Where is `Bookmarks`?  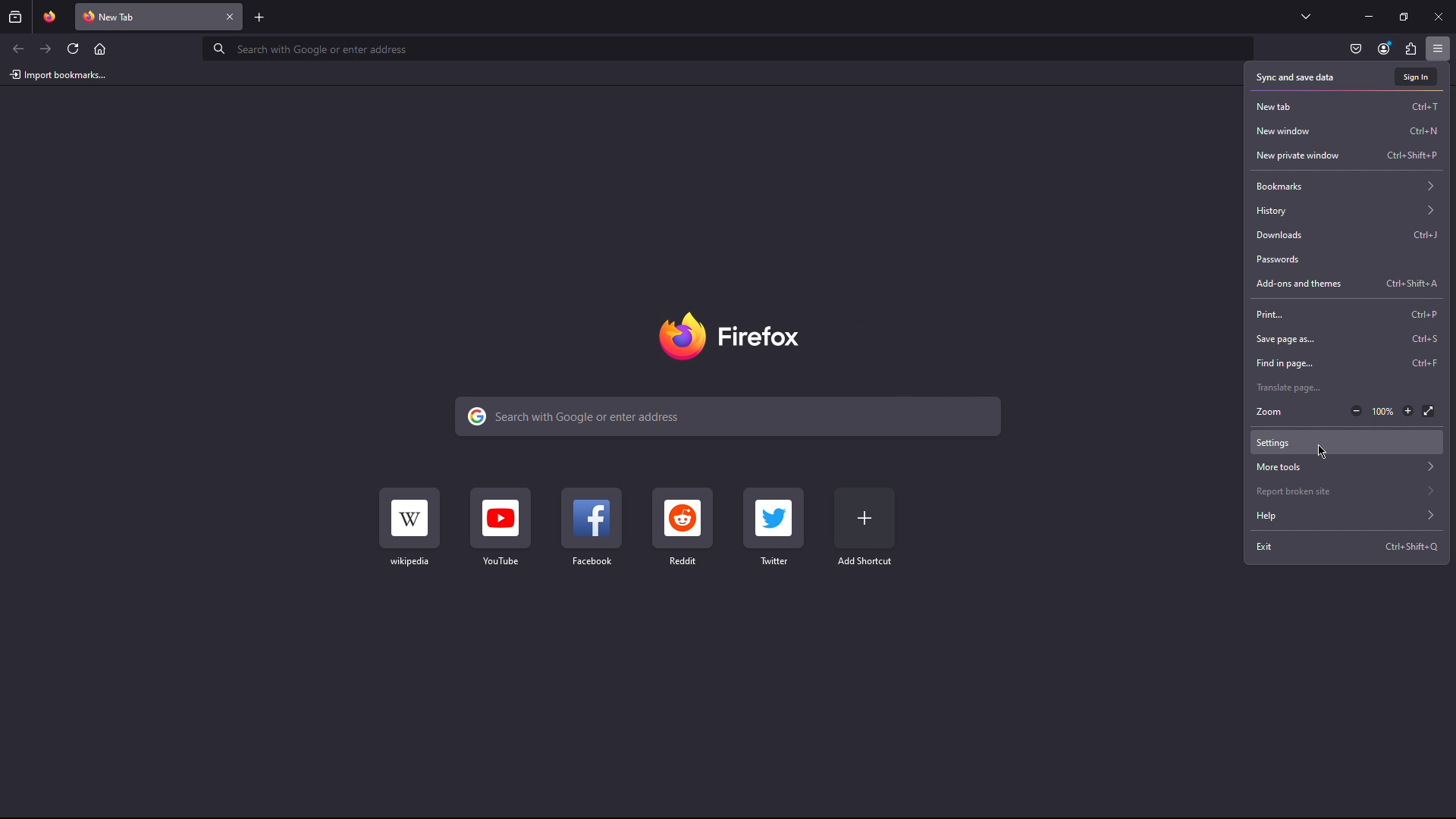
Bookmarks is located at coordinates (1347, 186).